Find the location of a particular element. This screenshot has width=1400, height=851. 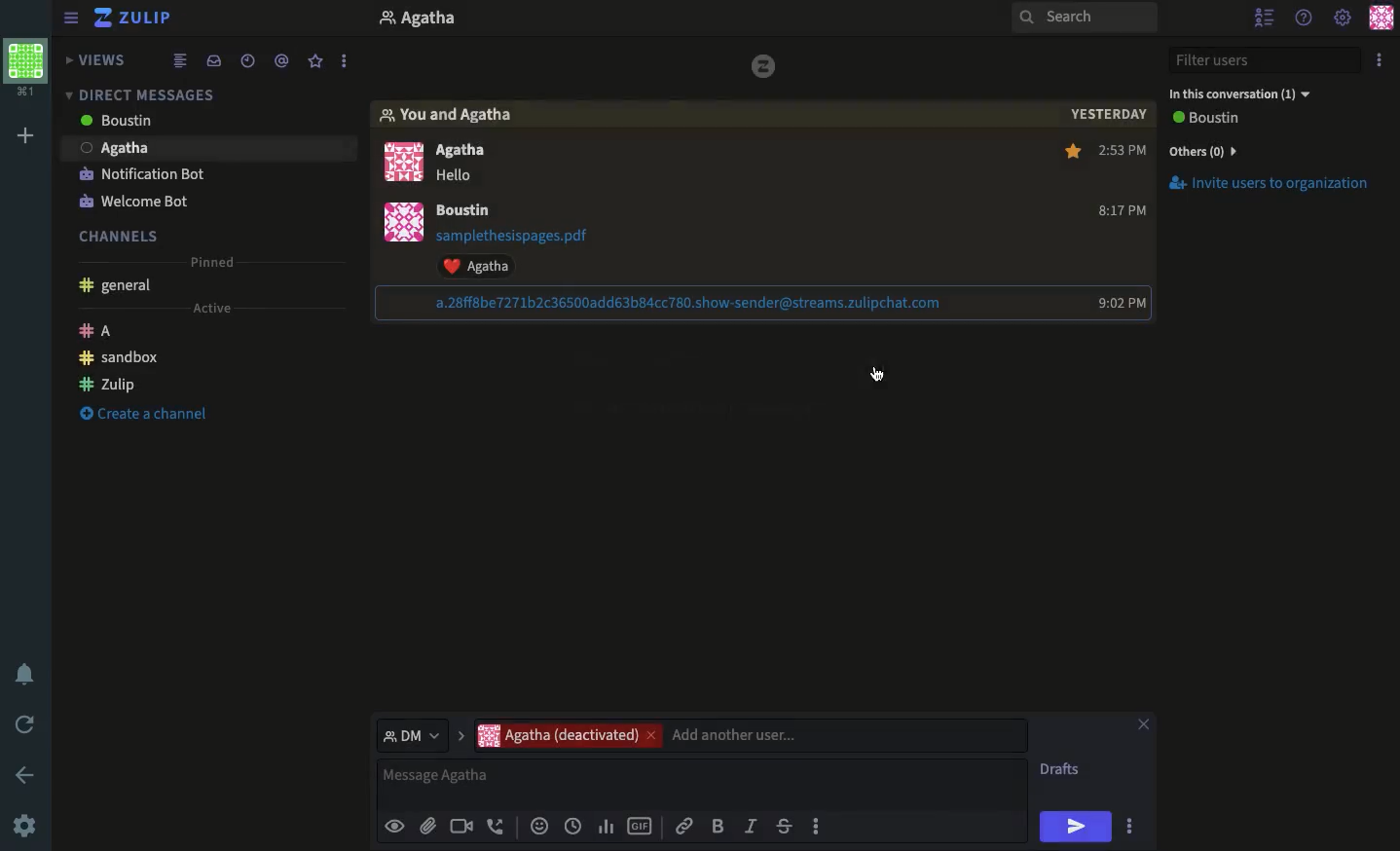

Strikethrough is located at coordinates (784, 826).